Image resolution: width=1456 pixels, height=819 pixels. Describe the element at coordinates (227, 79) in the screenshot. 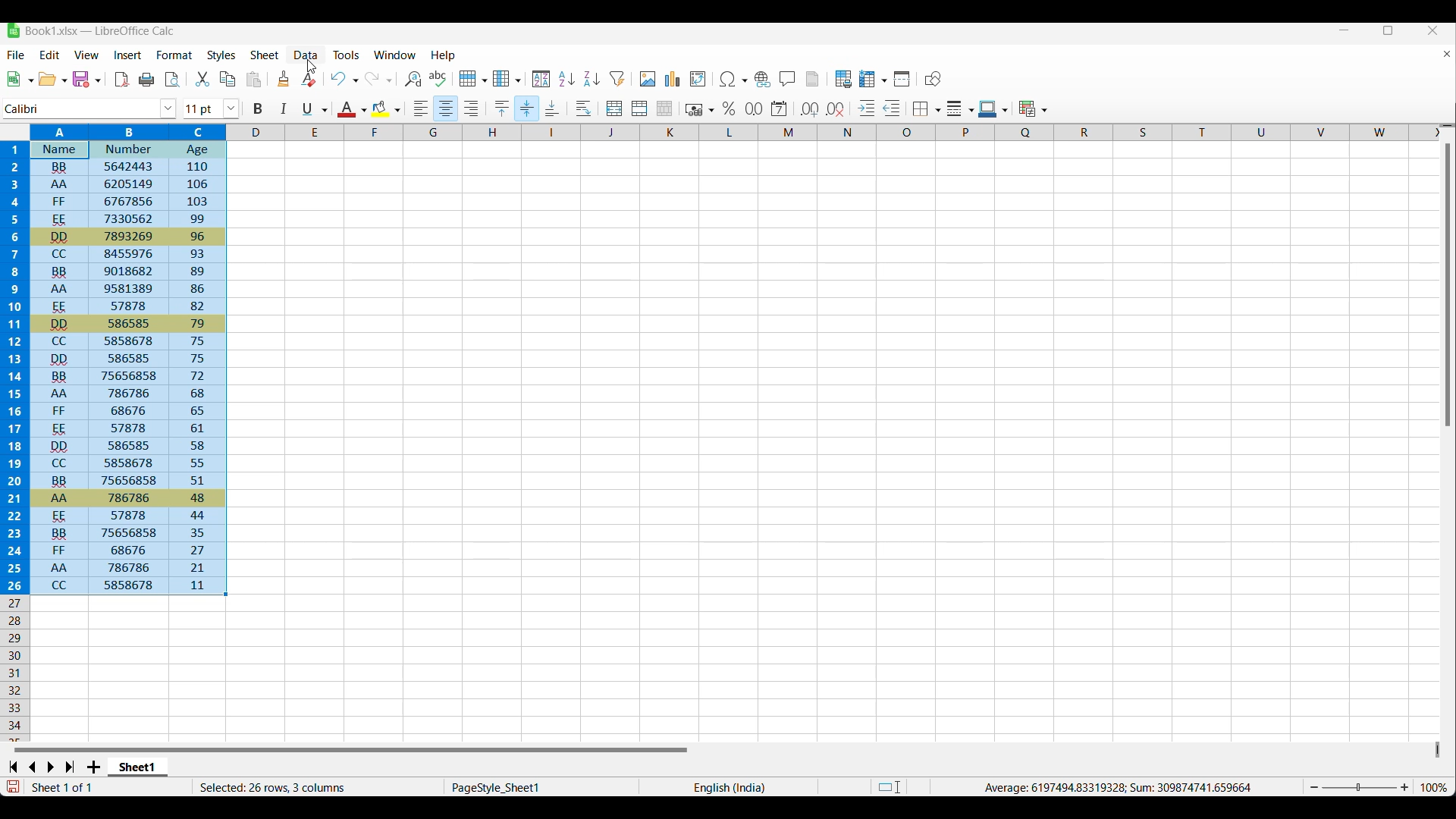

I see `Copy` at that location.